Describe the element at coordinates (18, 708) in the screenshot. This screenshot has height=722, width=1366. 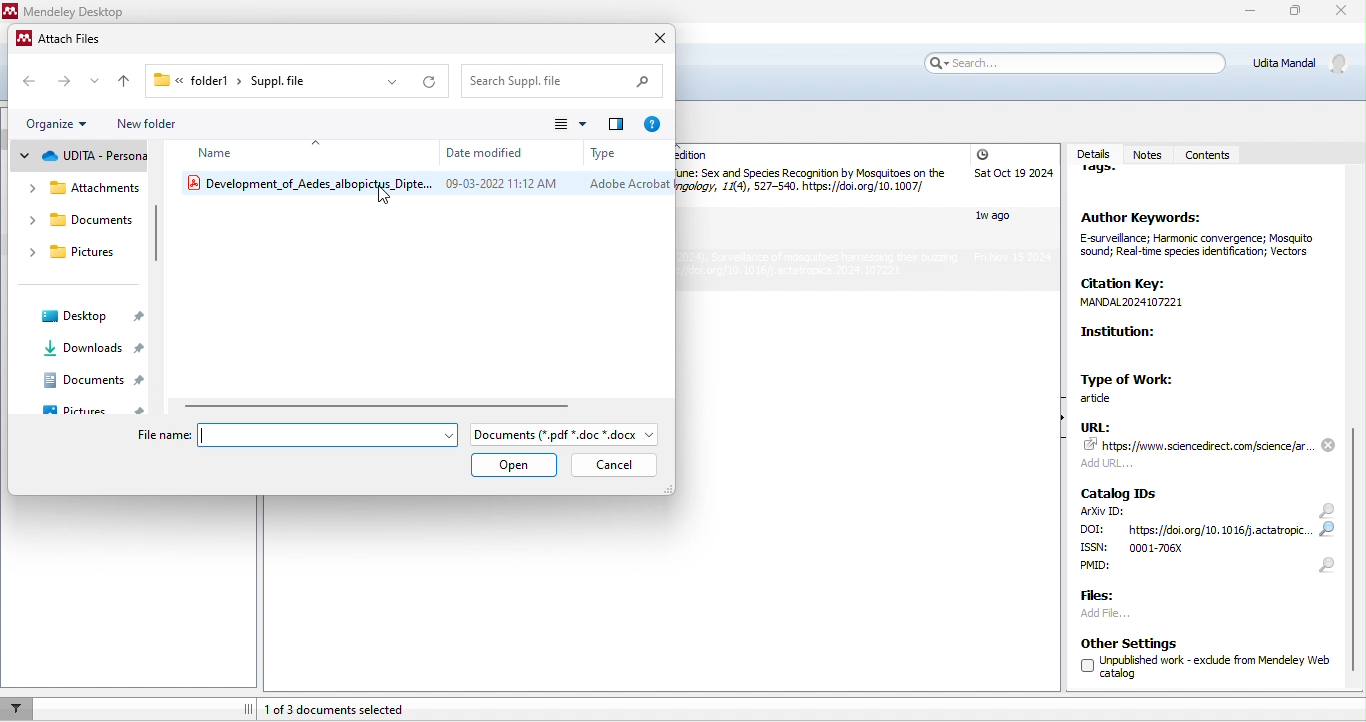
I see `filter` at that location.